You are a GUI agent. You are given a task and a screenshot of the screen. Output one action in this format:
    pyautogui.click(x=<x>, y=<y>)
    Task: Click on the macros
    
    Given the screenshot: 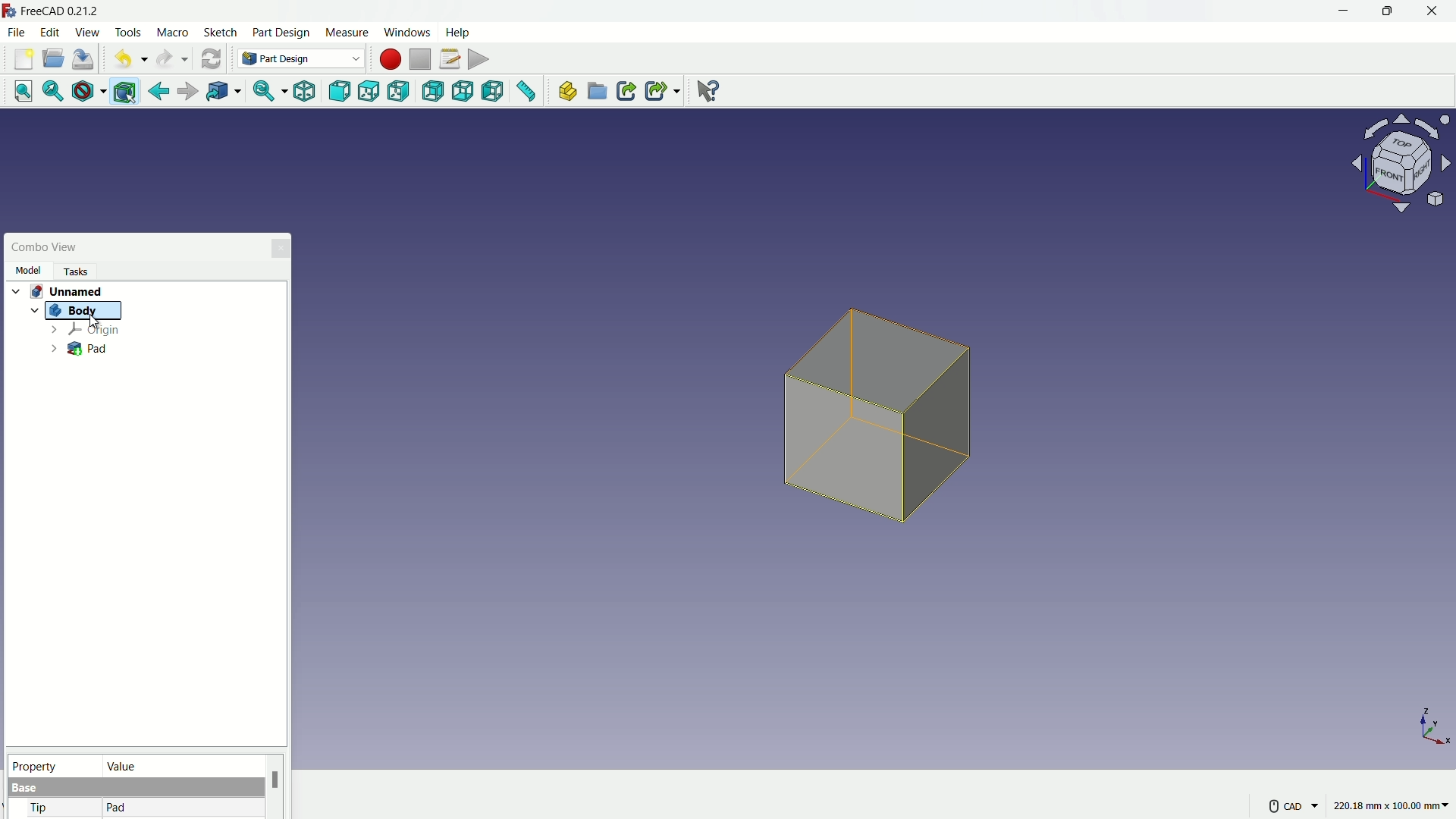 What is the action you would take?
    pyautogui.click(x=449, y=58)
    